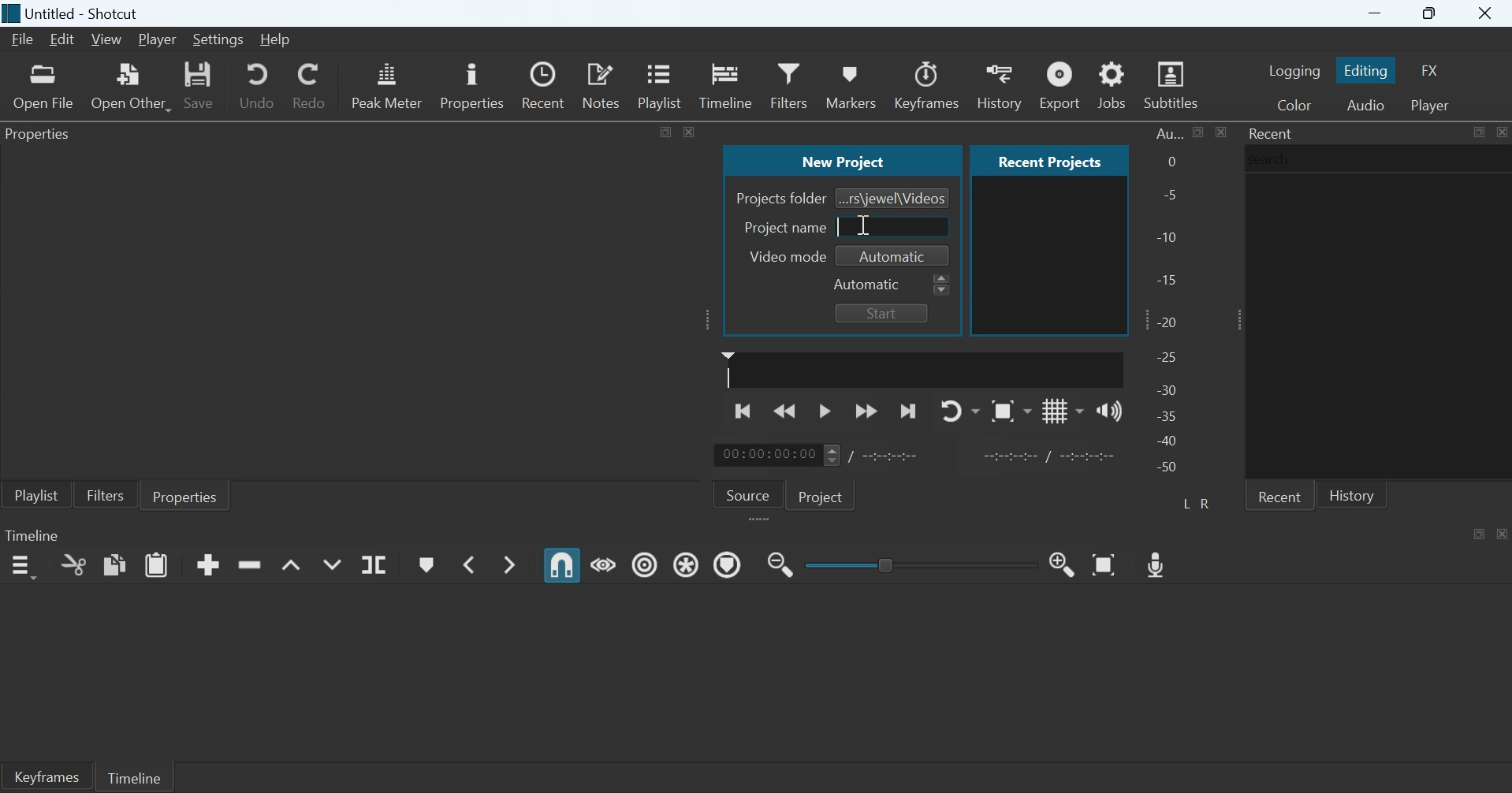  What do you see at coordinates (257, 84) in the screenshot?
I see `Undo` at bounding box center [257, 84].